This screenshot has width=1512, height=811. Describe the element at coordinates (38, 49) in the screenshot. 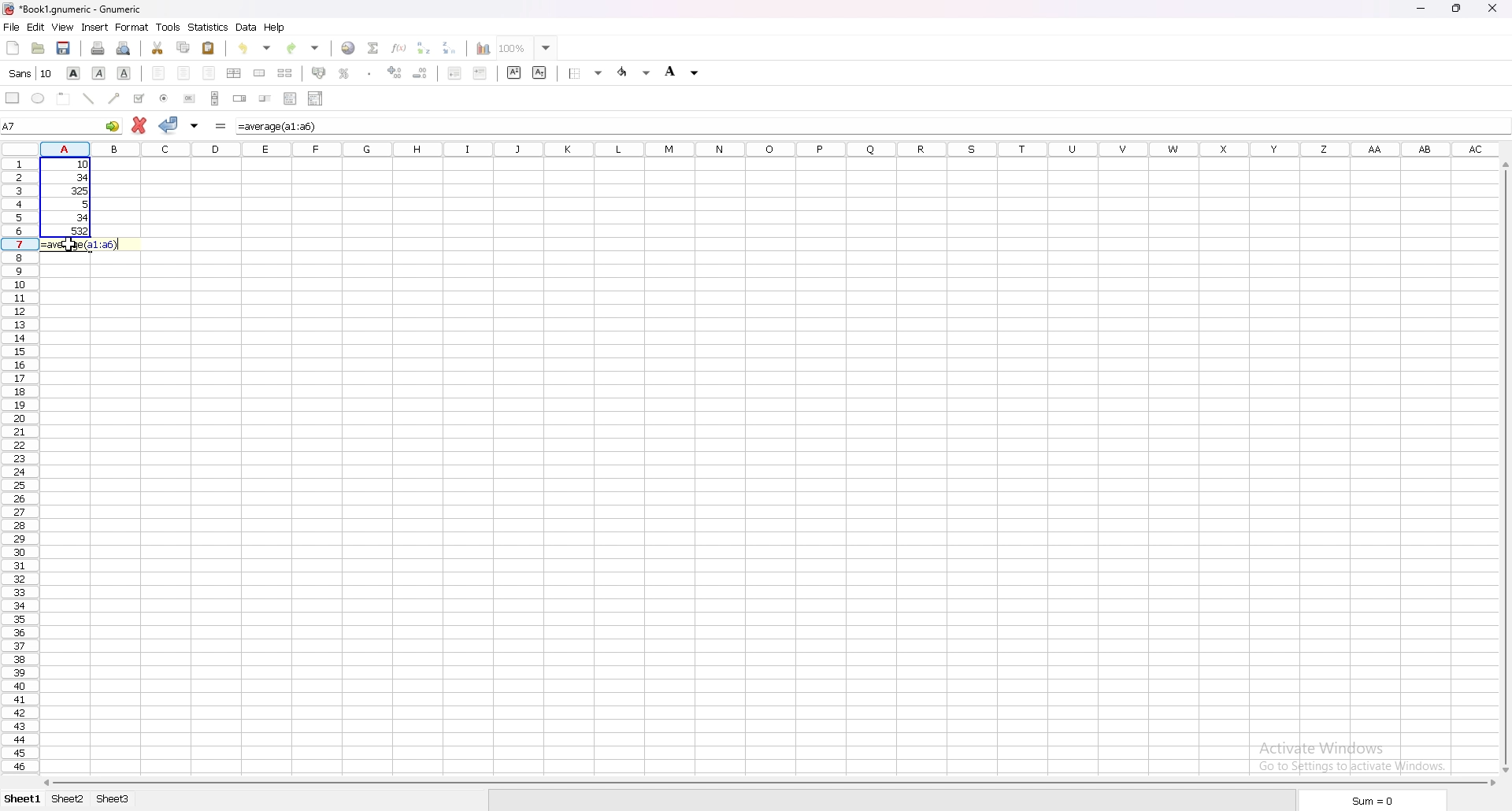

I see `open` at that location.